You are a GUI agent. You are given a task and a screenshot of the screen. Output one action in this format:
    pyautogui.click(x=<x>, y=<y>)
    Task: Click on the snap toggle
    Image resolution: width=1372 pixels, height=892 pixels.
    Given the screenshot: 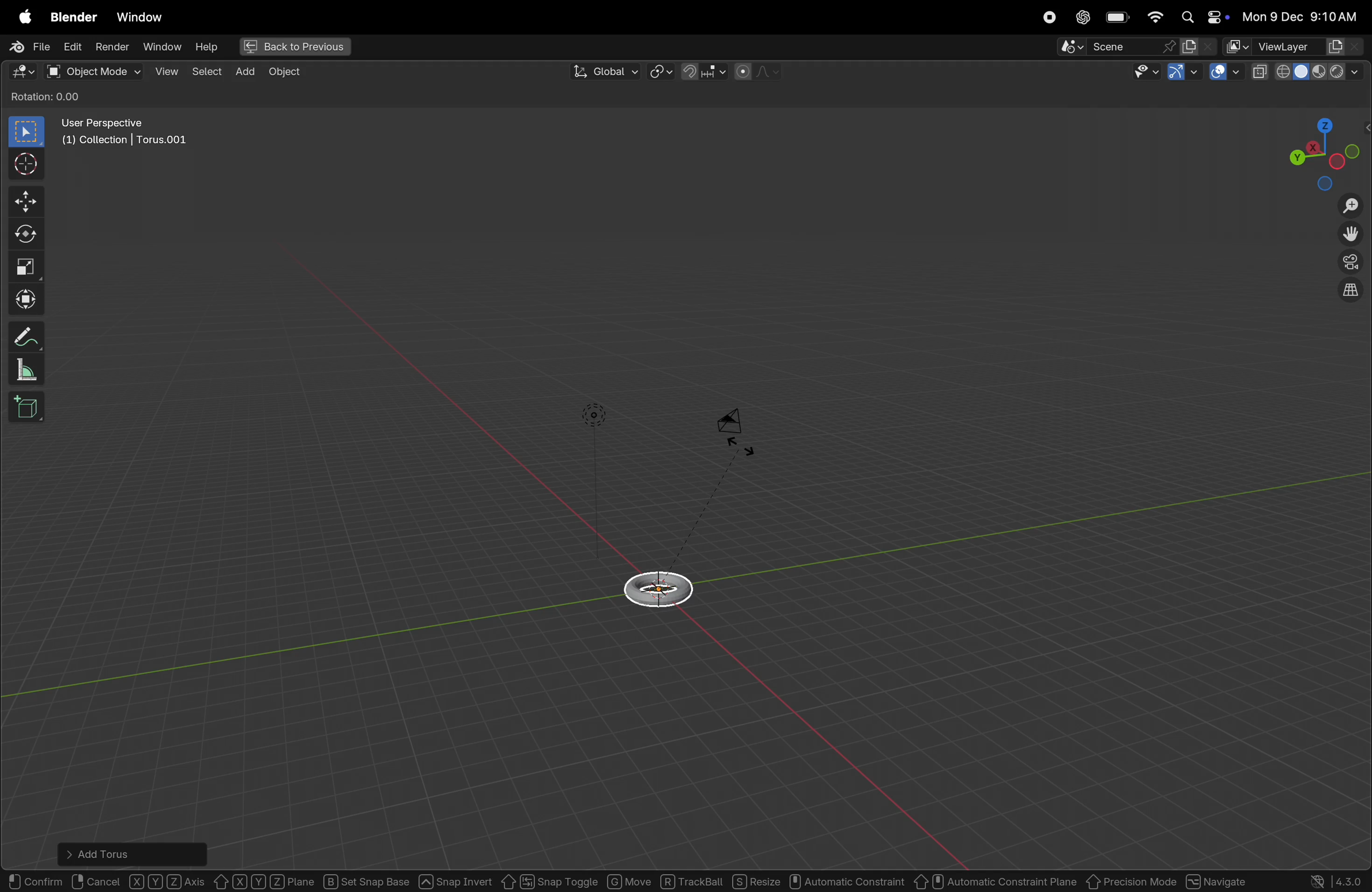 What is the action you would take?
    pyautogui.click(x=548, y=880)
    